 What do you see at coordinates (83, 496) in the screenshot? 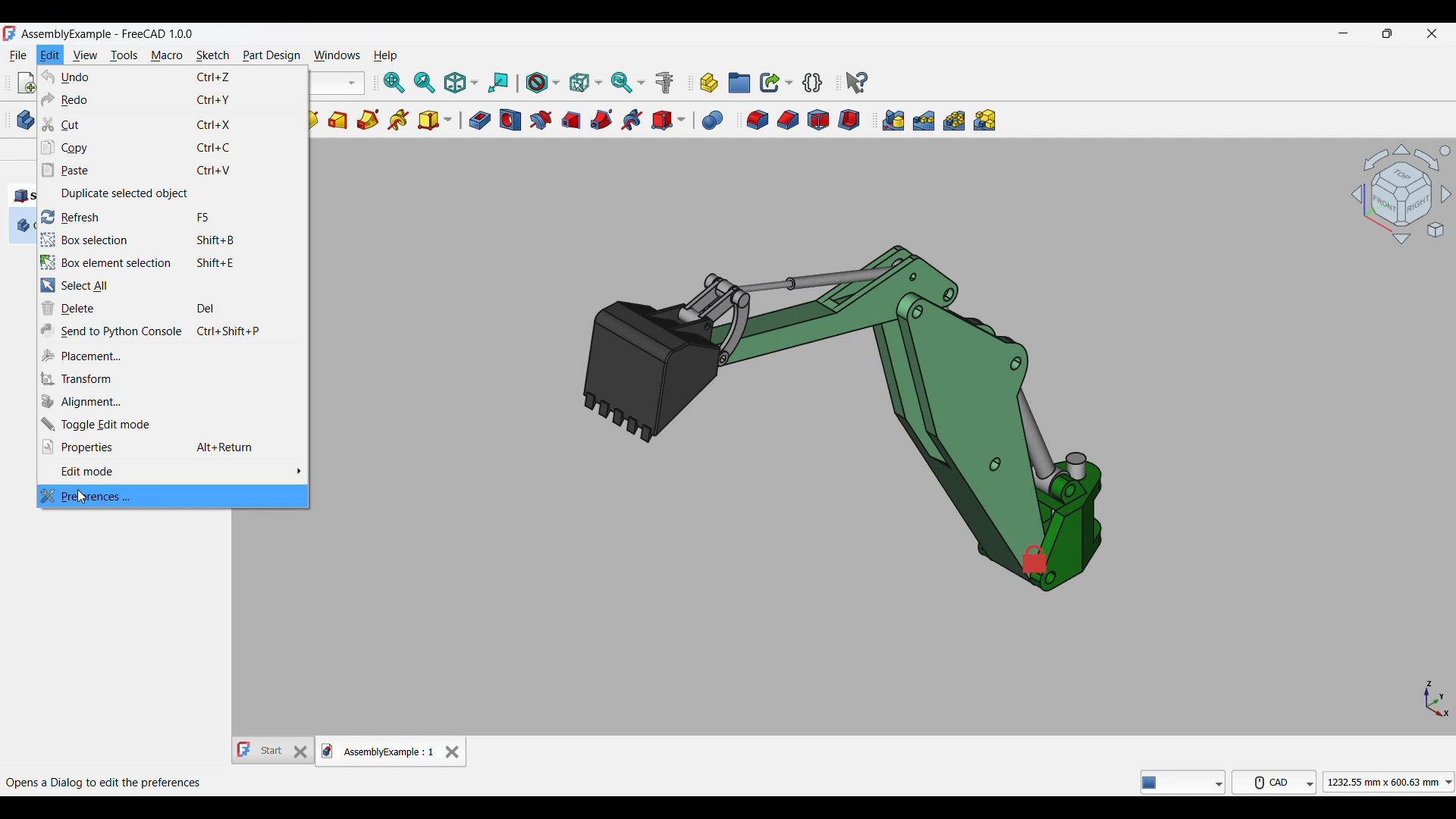
I see `Cursor` at bounding box center [83, 496].